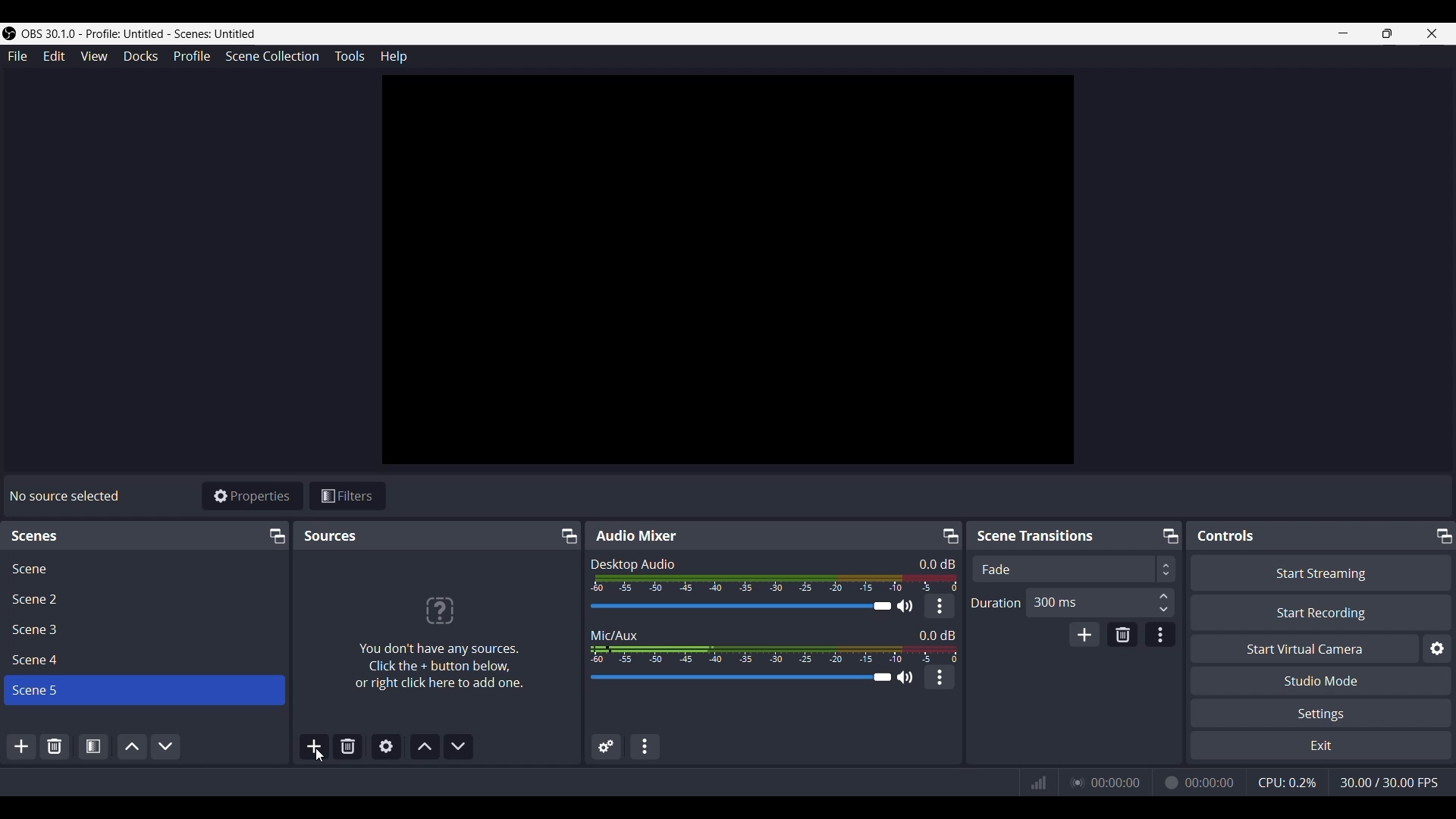 The height and width of the screenshot is (819, 1456). I want to click on Filters, so click(350, 494).